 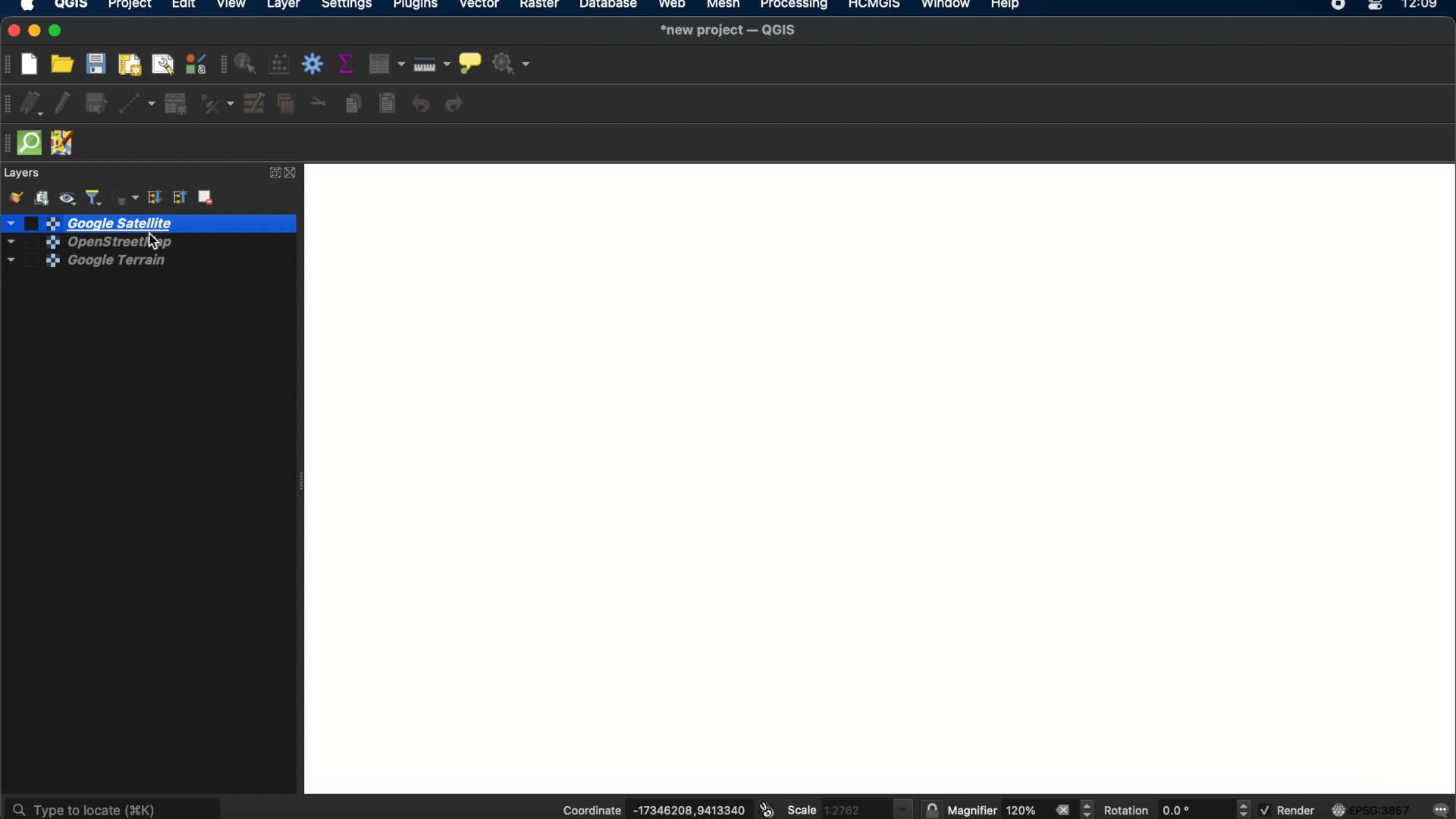 I want to click on attributes toolbar, so click(x=221, y=65).